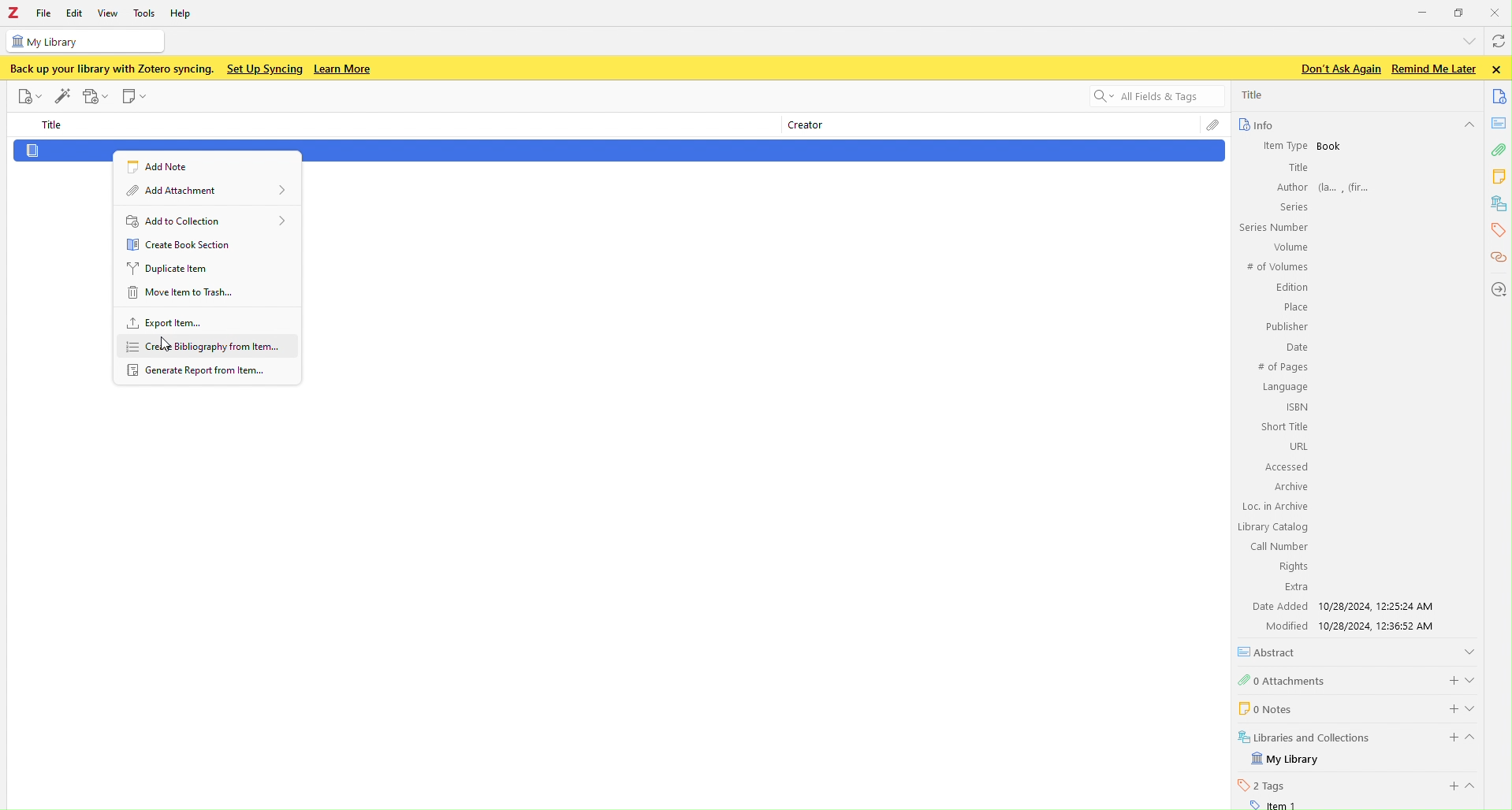 The image size is (1512, 810). Describe the element at coordinates (1383, 626) in the screenshot. I see `10/28/2024, 12:36:52 AM` at that location.